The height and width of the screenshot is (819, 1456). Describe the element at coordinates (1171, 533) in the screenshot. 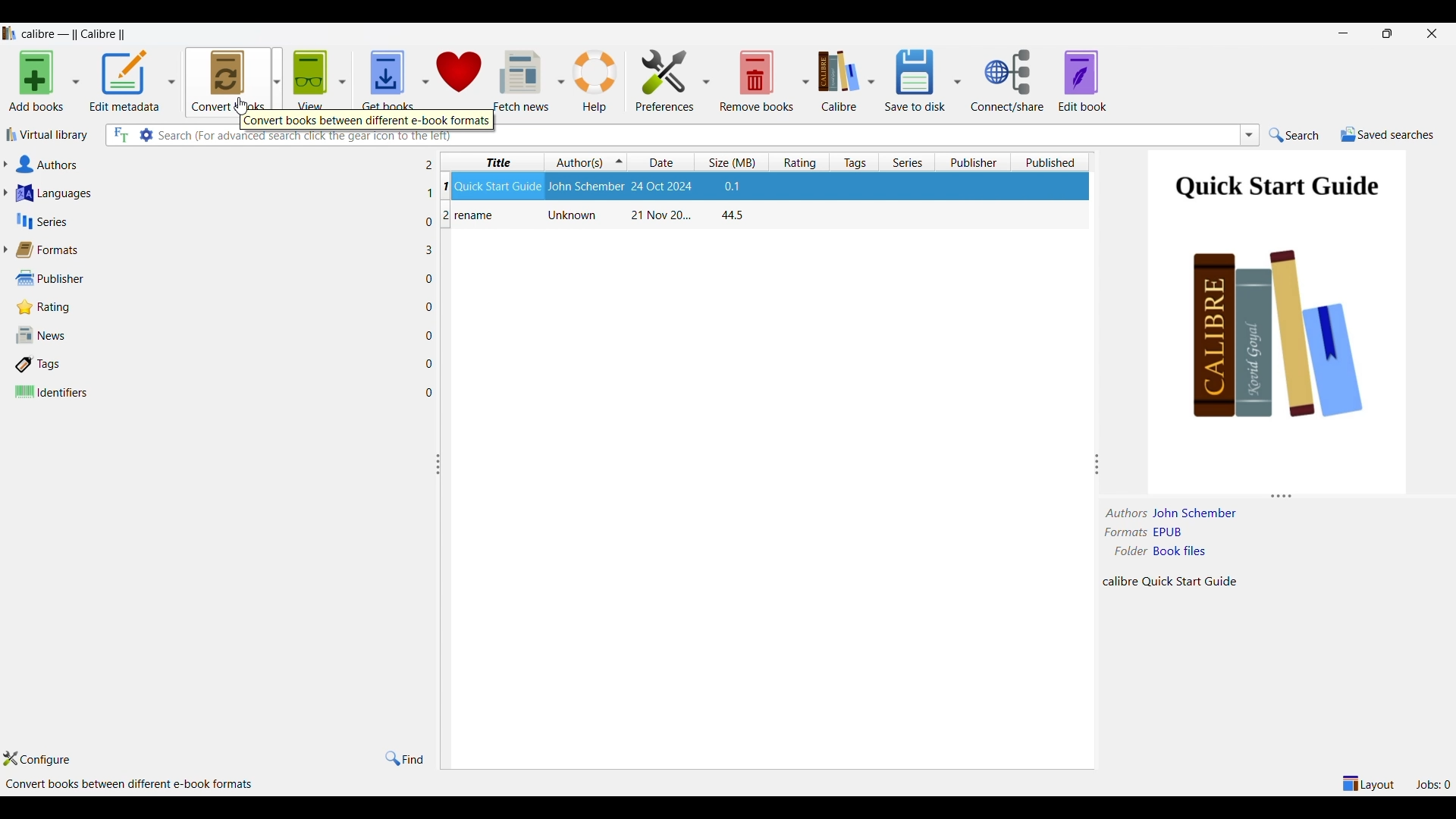

I see `EPUB` at that location.